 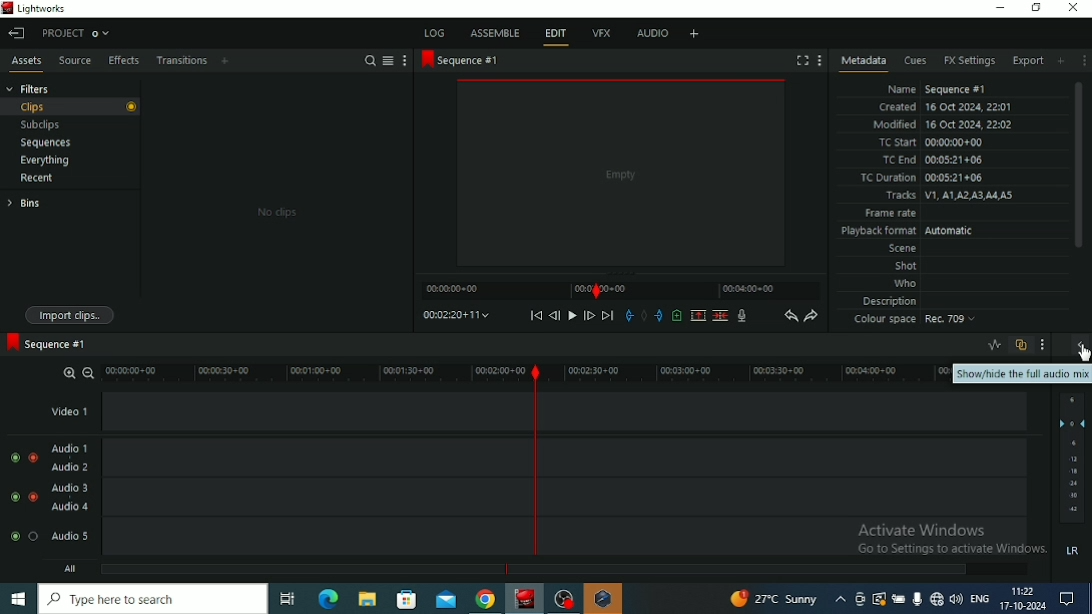 I want to click on Audio output level, so click(x=1072, y=459).